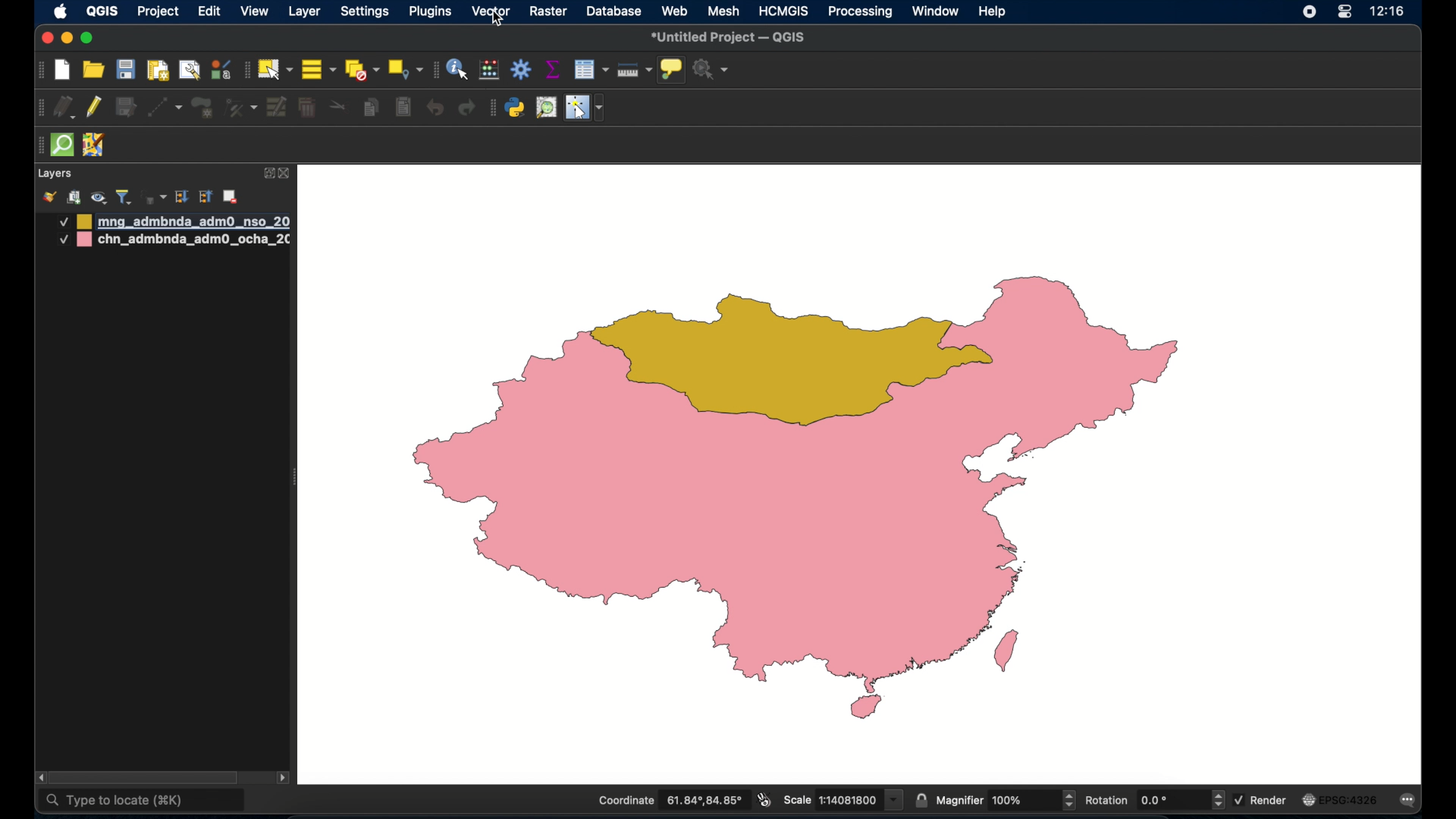 The width and height of the screenshot is (1456, 819). I want to click on database, so click(614, 12).